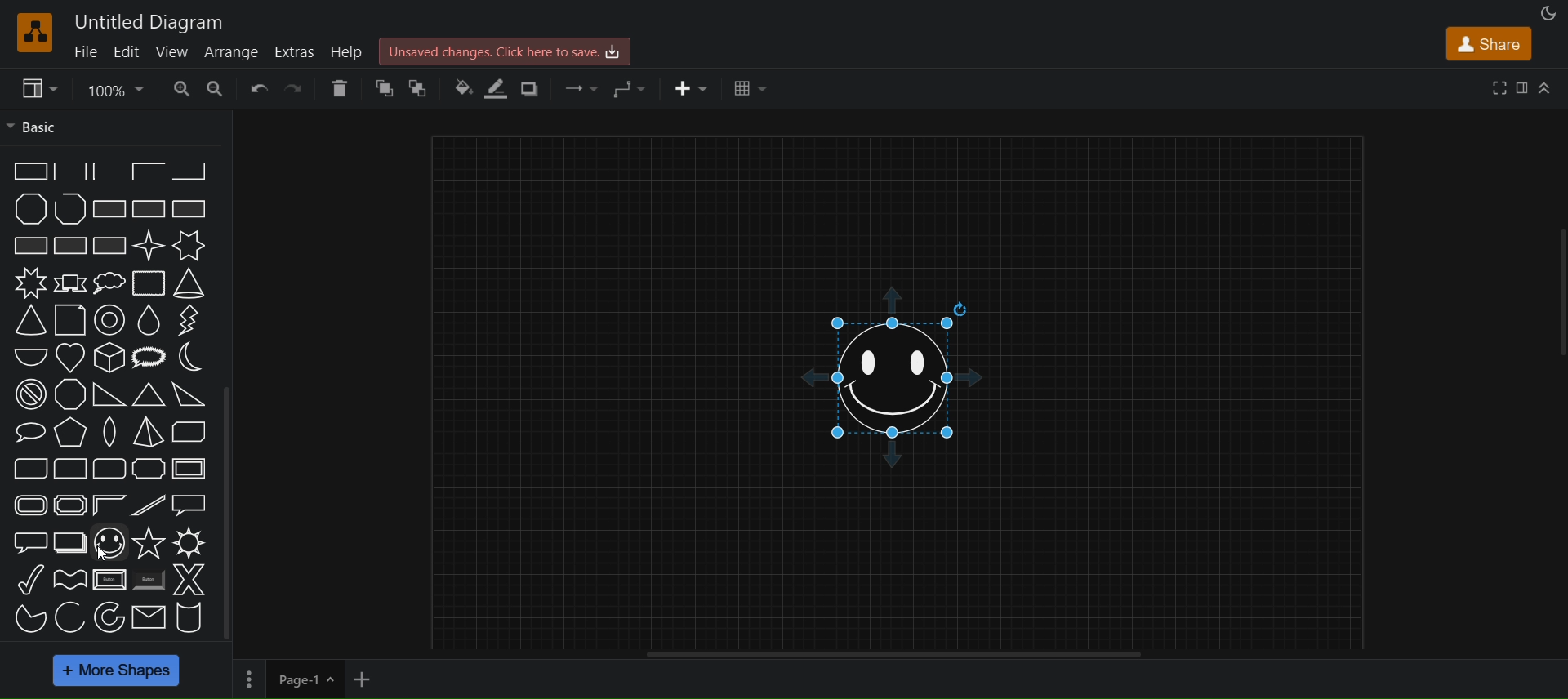 The width and height of the screenshot is (1568, 699). What do you see at coordinates (498, 87) in the screenshot?
I see `line color` at bounding box center [498, 87].